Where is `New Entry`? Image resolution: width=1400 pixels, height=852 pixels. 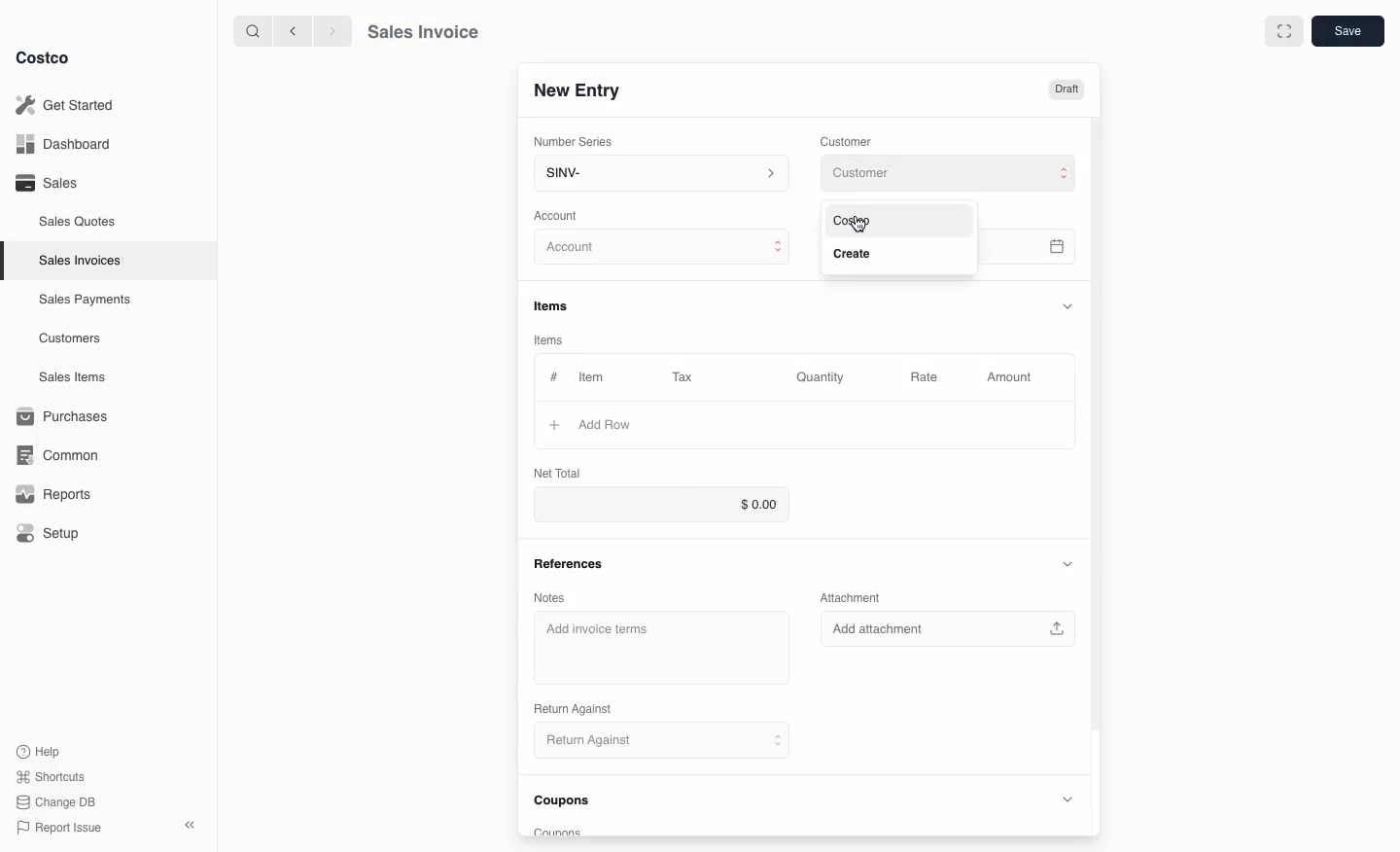
New Entry is located at coordinates (577, 90).